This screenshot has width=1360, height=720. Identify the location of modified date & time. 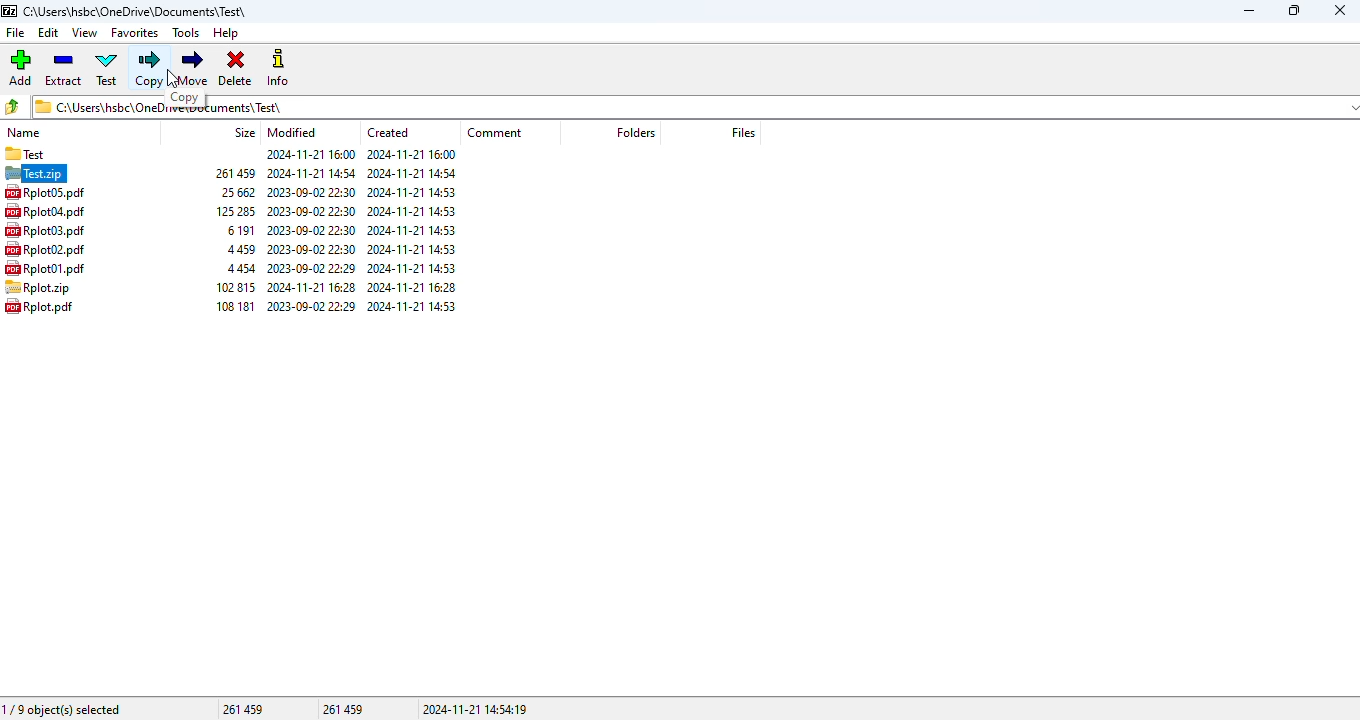
(311, 287).